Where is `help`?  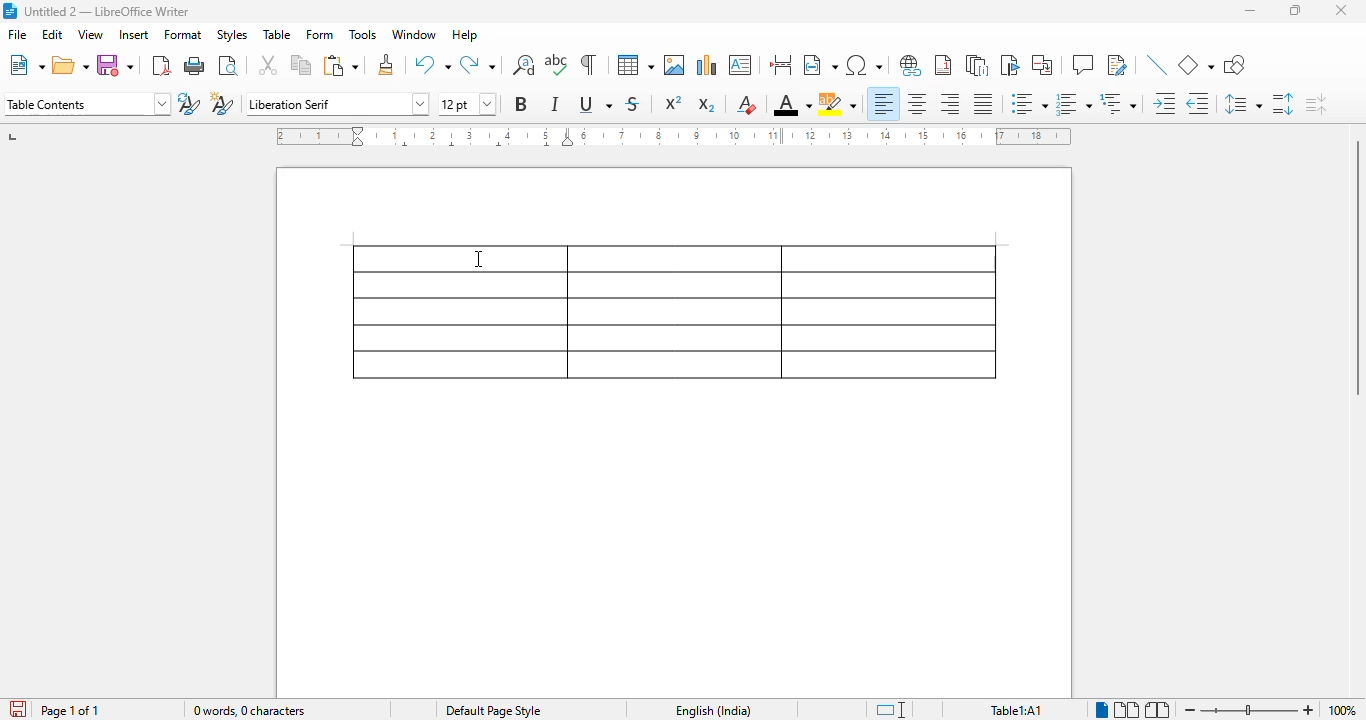
help is located at coordinates (464, 34).